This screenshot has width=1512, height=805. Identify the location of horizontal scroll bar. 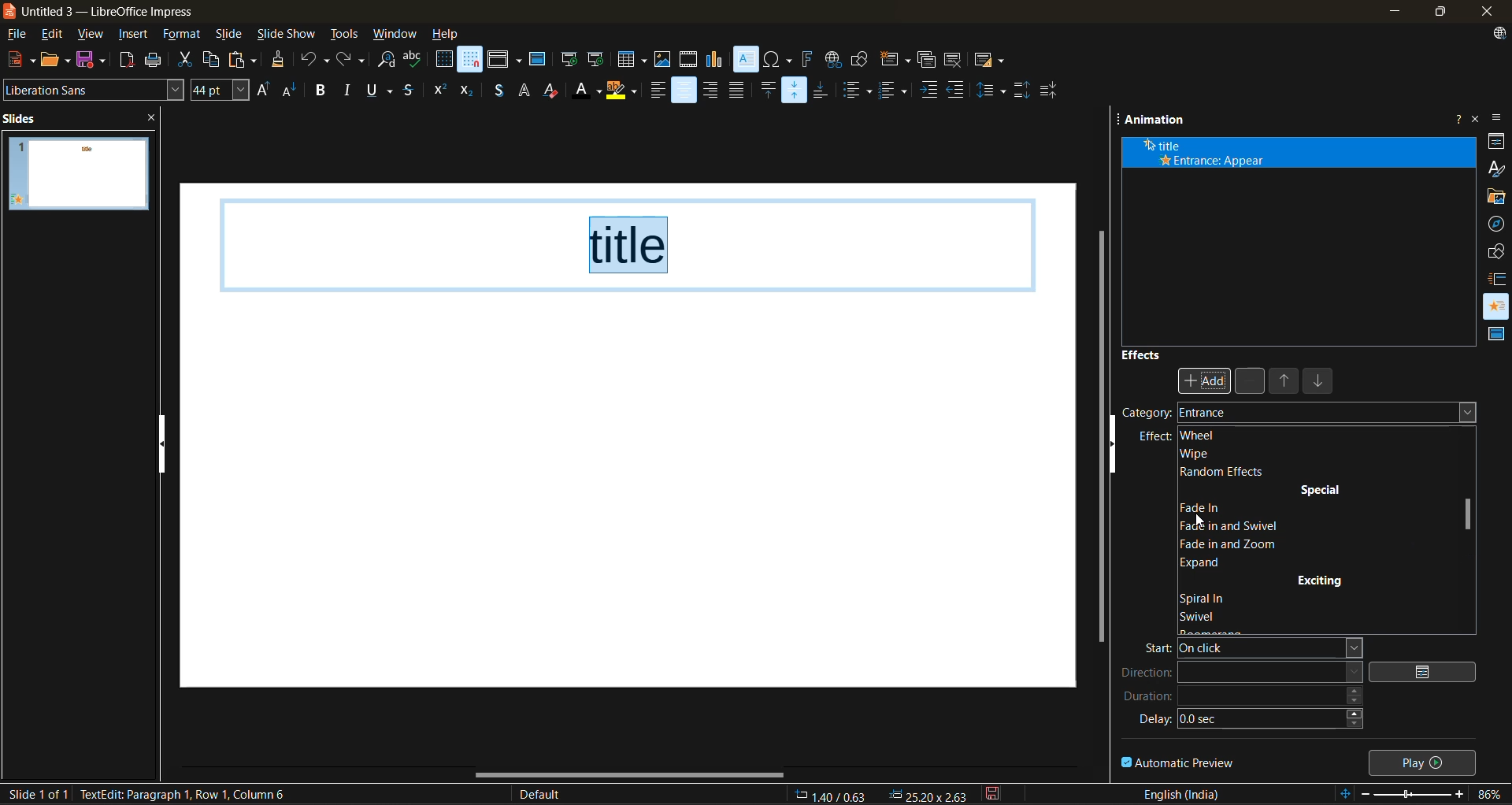
(631, 774).